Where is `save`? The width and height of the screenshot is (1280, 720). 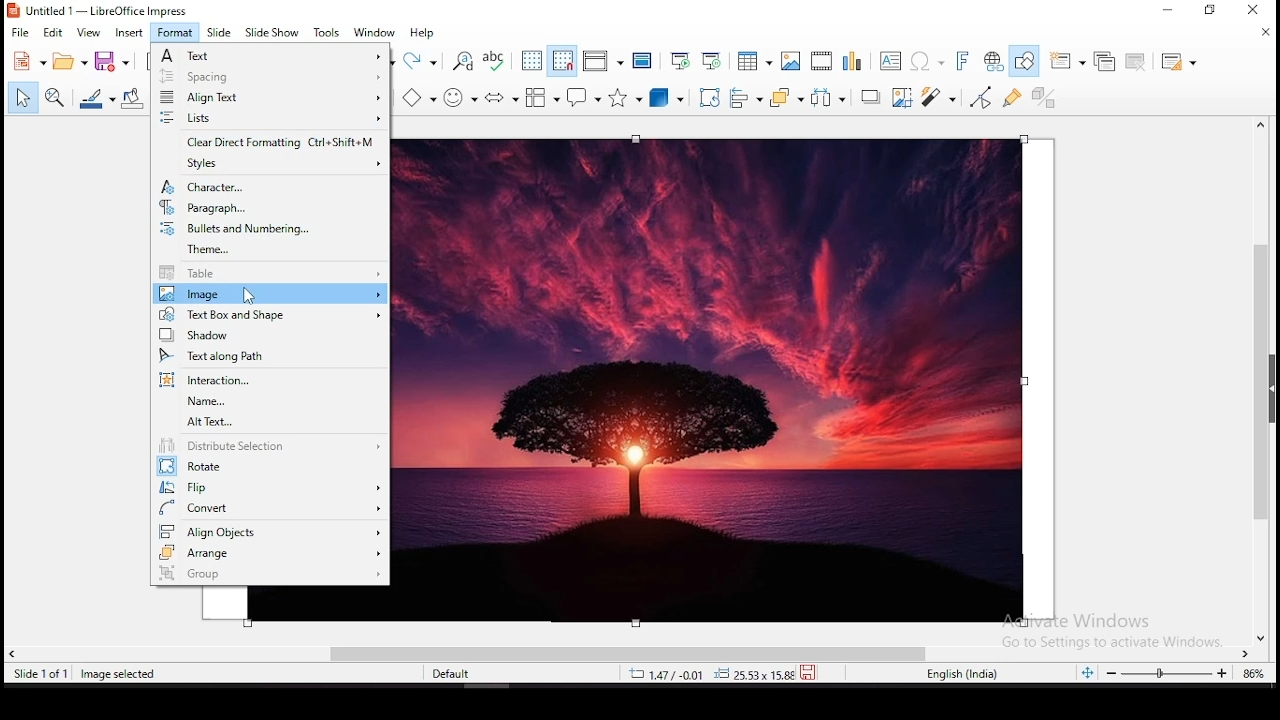 save is located at coordinates (811, 671).